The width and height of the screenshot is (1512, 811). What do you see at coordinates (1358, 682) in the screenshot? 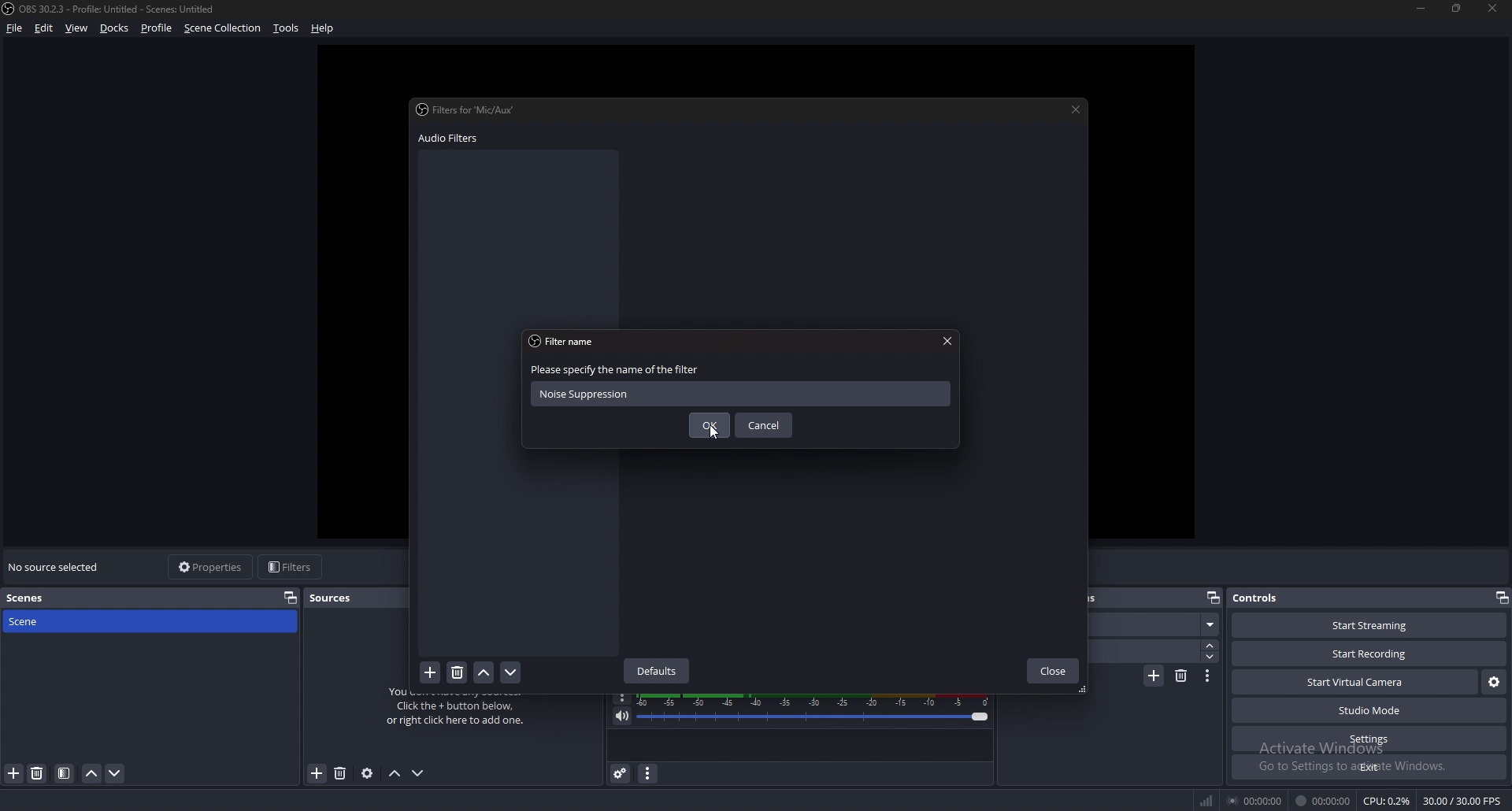
I see `start virtual camera` at bounding box center [1358, 682].